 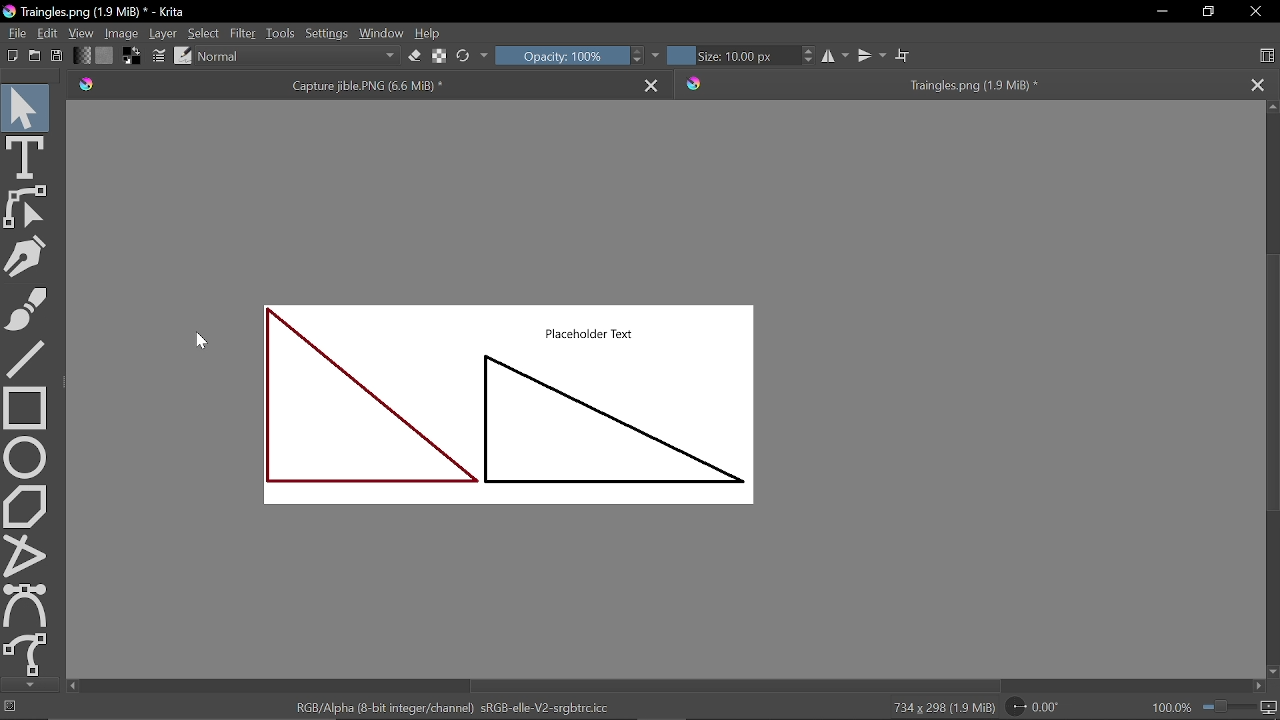 I want to click on Edit brush settings, so click(x=158, y=56).